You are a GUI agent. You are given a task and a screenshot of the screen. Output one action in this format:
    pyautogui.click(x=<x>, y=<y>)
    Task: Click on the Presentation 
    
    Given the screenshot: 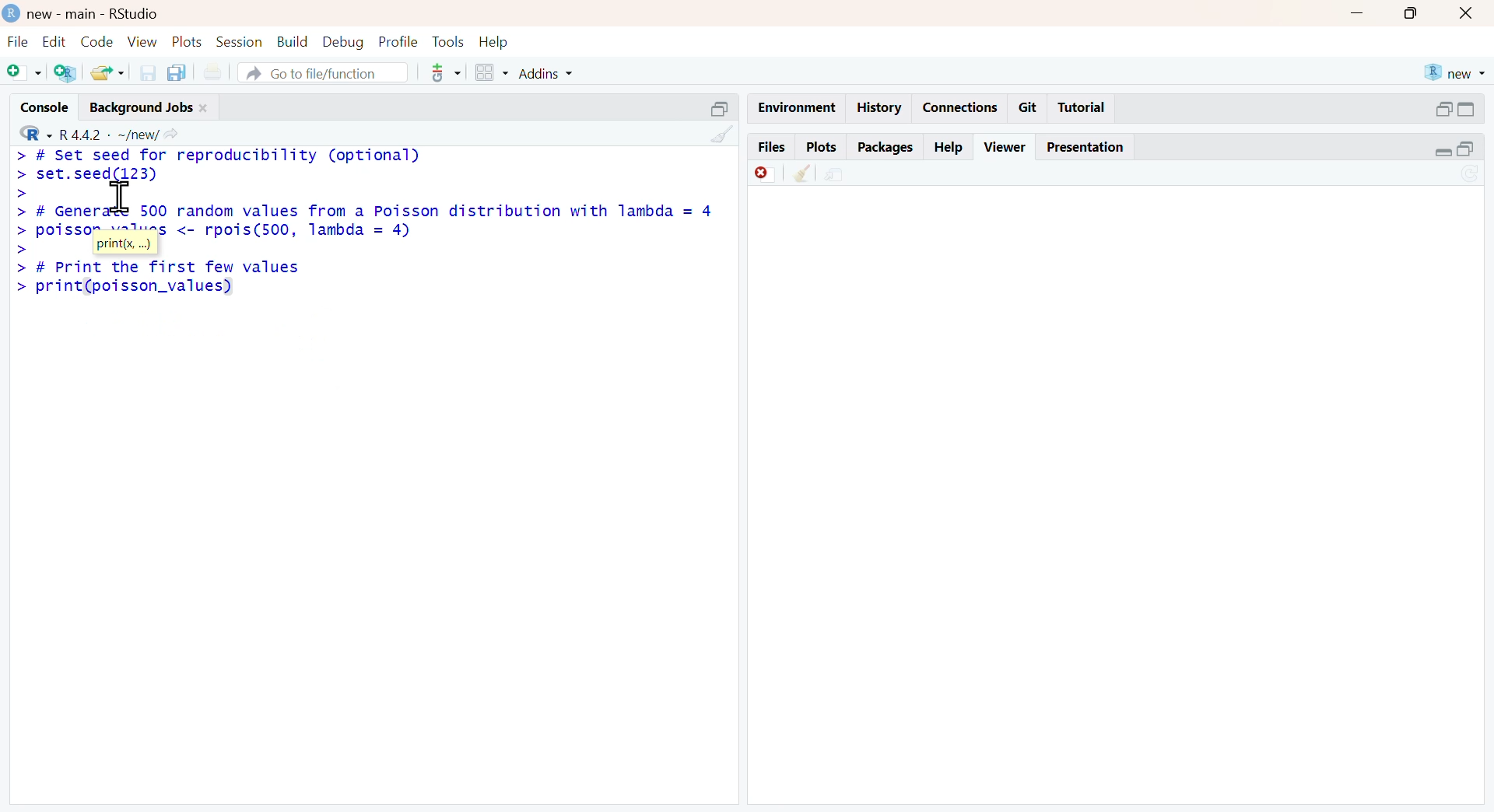 What is the action you would take?
    pyautogui.click(x=1085, y=147)
    